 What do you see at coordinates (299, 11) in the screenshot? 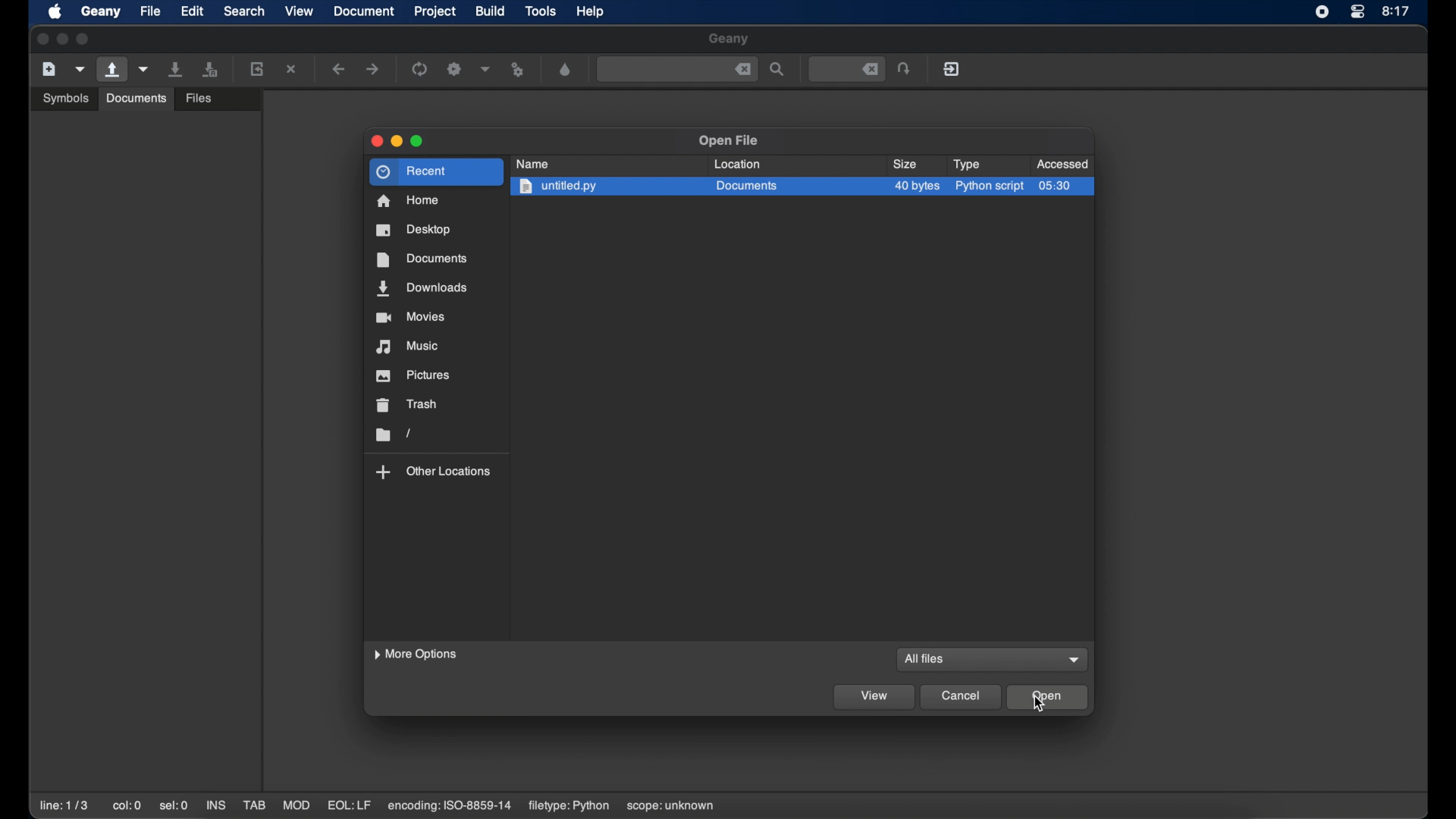
I see `view` at bounding box center [299, 11].